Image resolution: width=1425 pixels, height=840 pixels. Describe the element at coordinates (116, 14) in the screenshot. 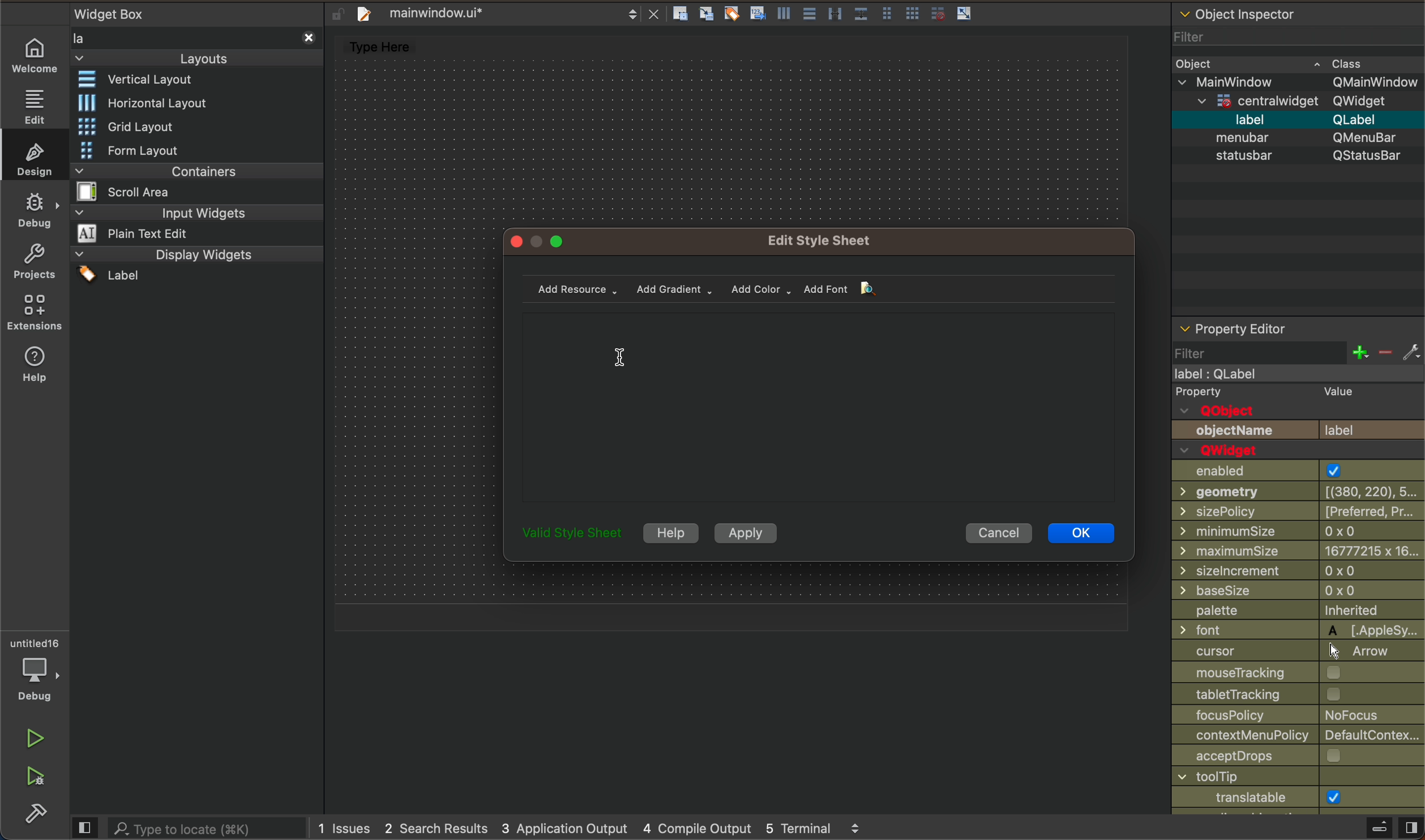

I see `widget box` at that location.